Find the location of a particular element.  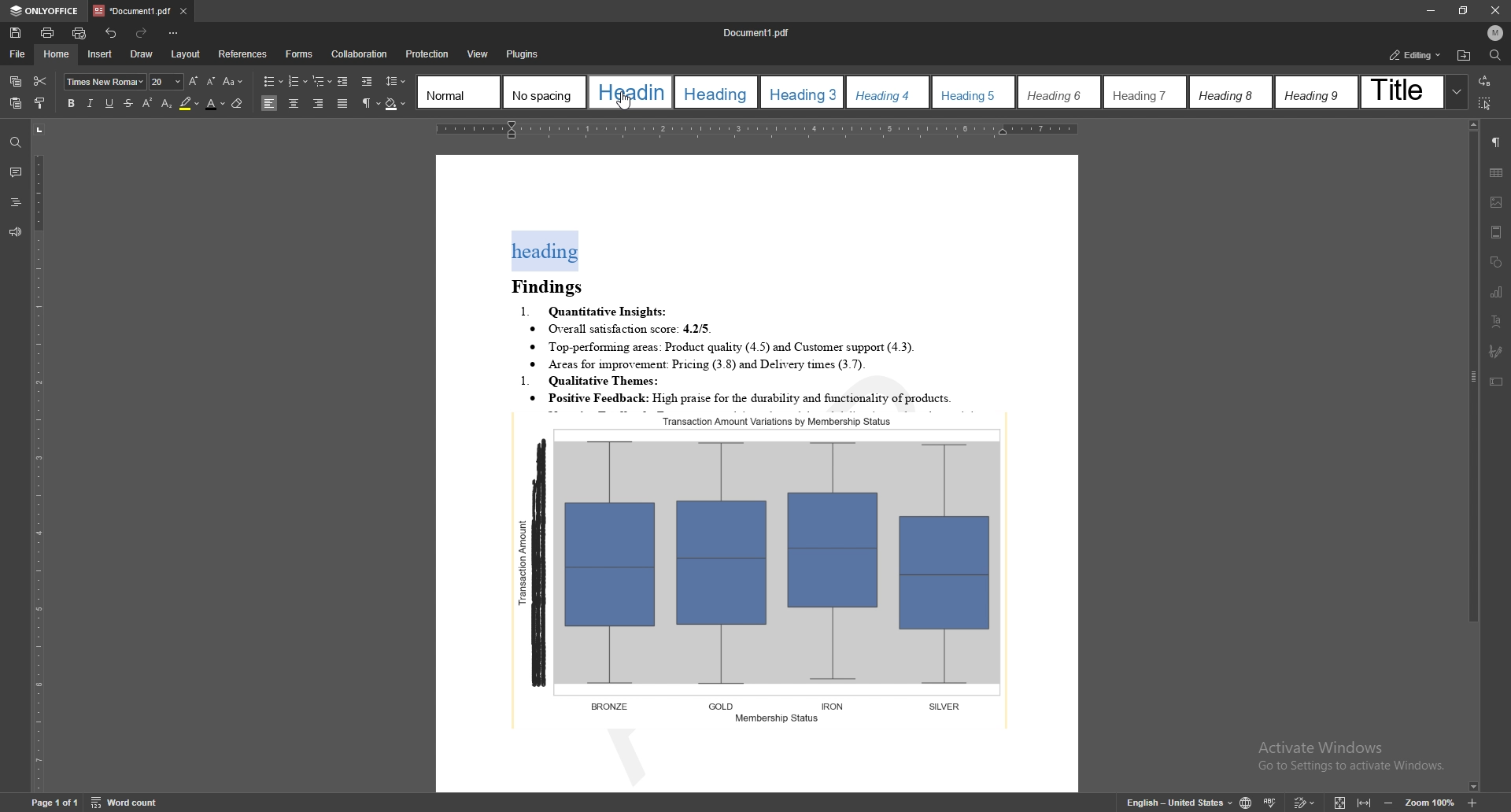

signature field is located at coordinates (1495, 352).